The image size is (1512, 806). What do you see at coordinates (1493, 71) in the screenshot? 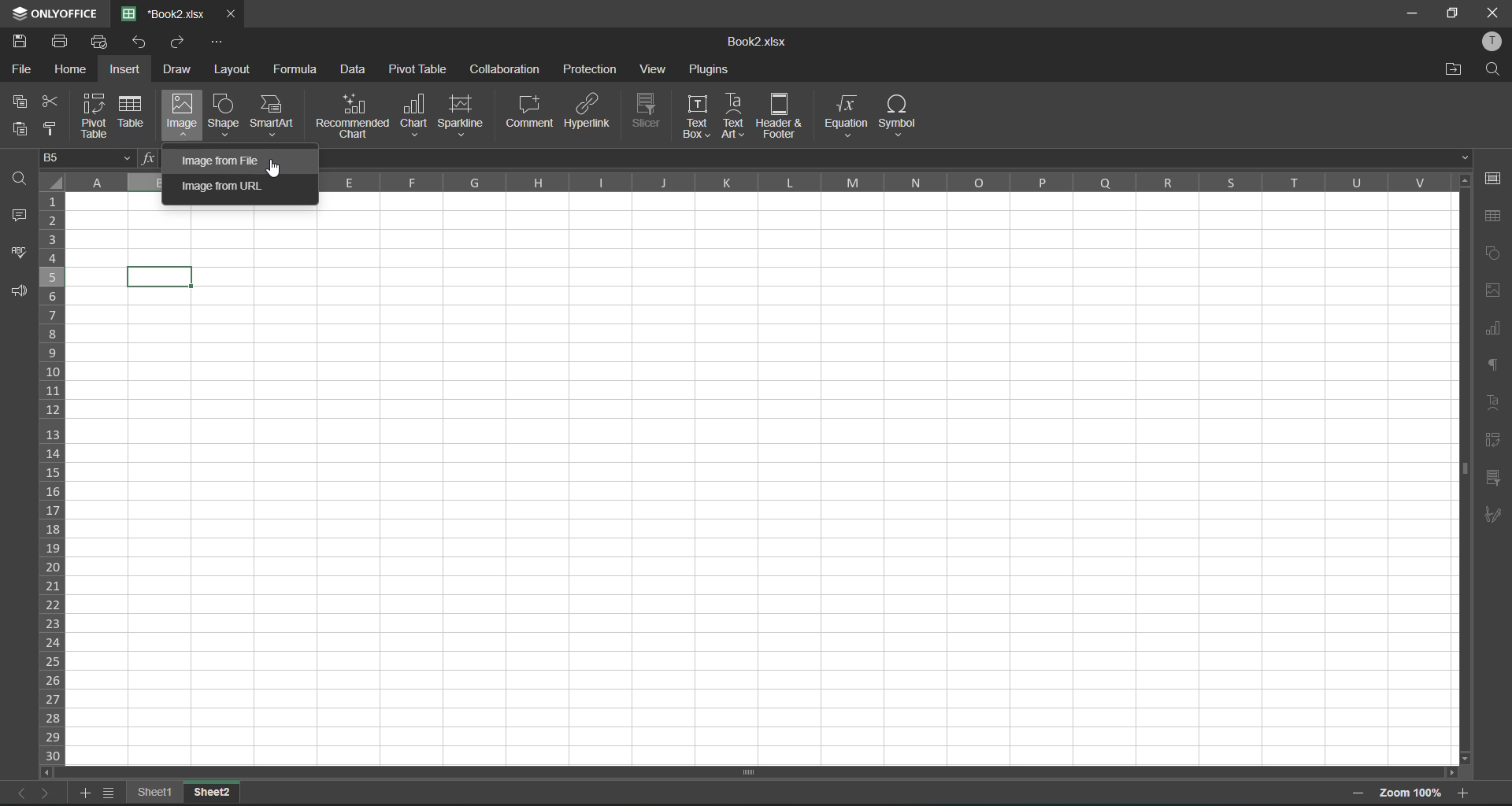
I see `find` at bounding box center [1493, 71].